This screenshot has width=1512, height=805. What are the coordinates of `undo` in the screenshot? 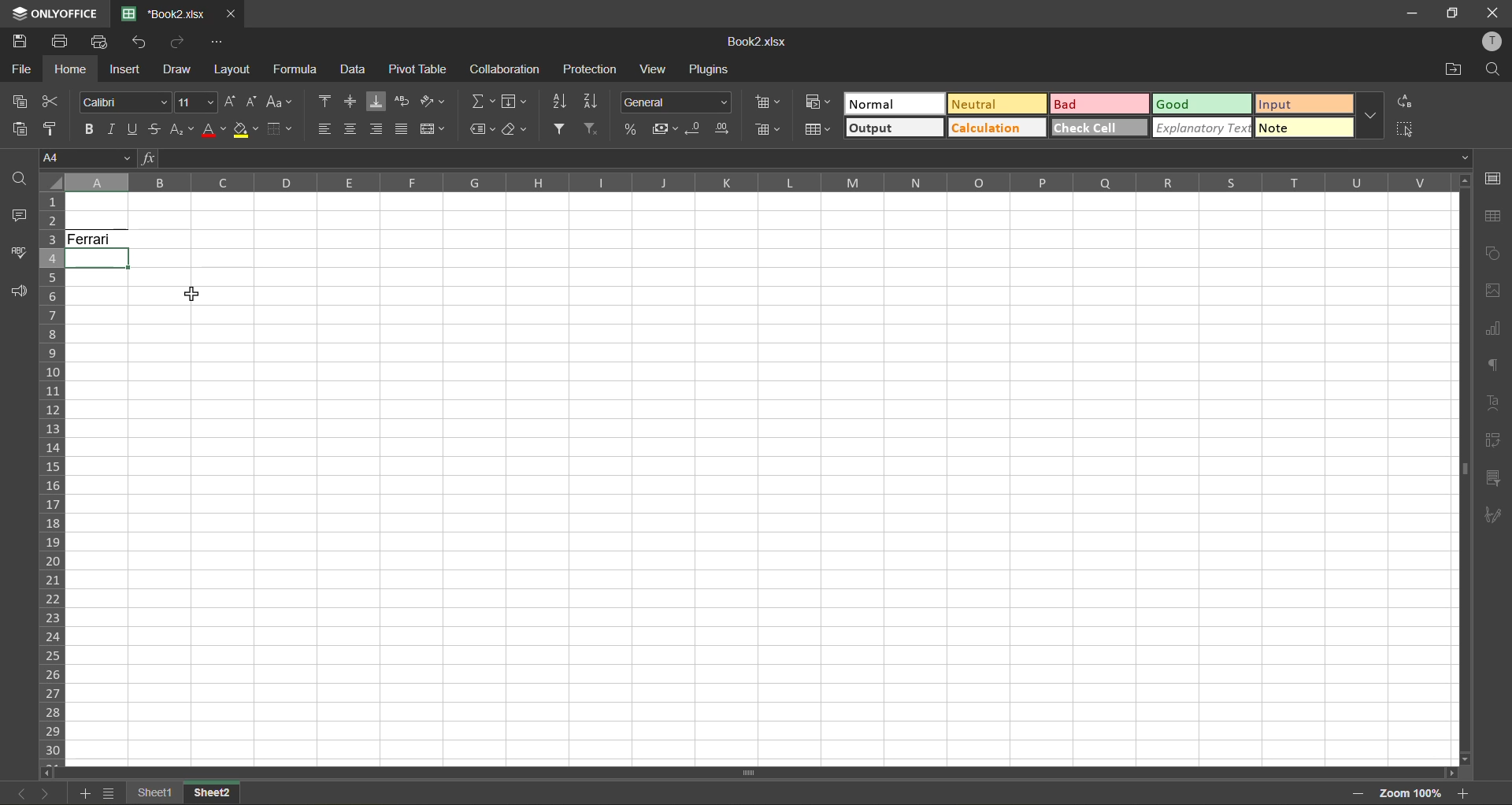 It's located at (140, 43).